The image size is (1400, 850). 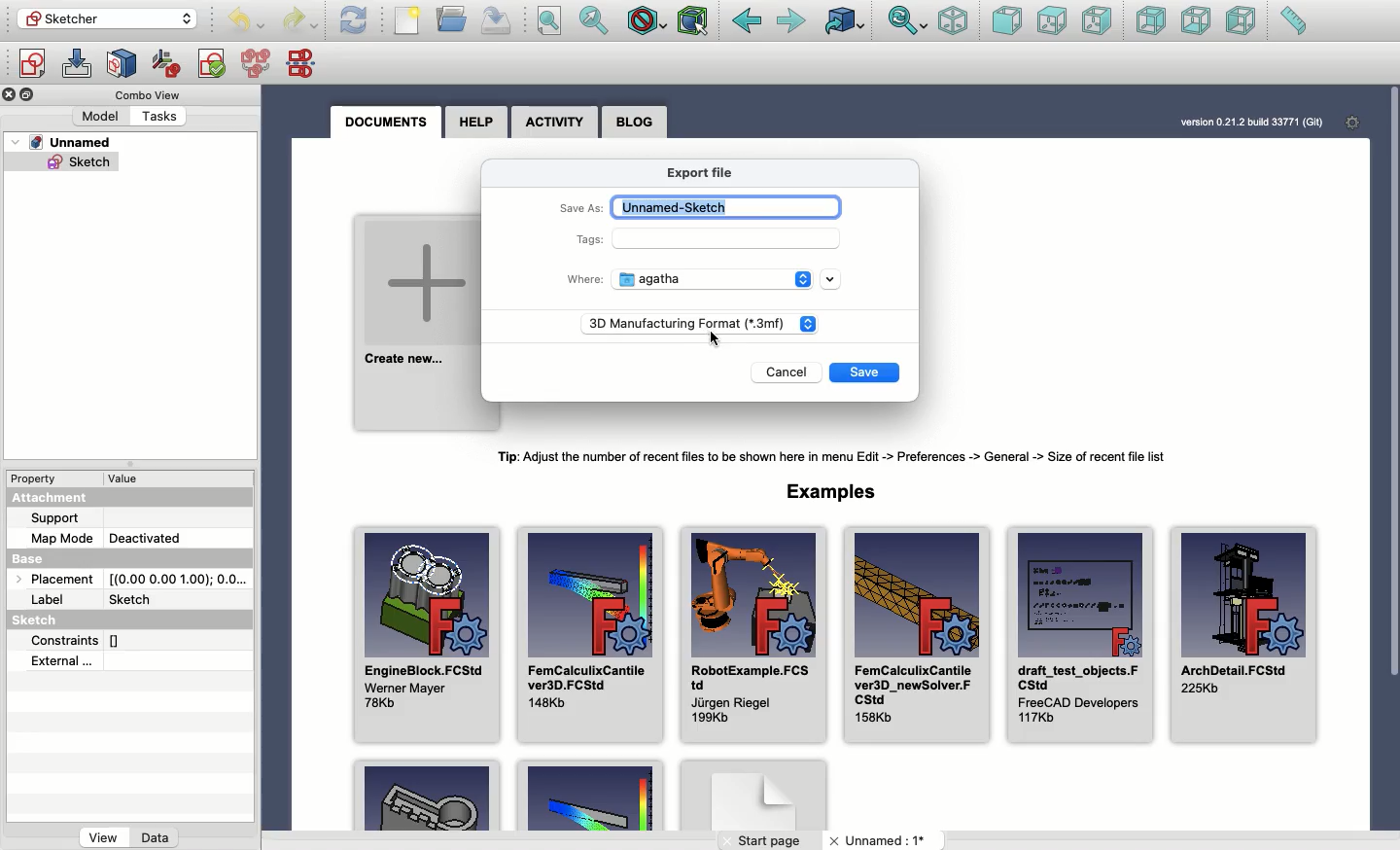 What do you see at coordinates (554, 20) in the screenshot?
I see `Fit all` at bounding box center [554, 20].